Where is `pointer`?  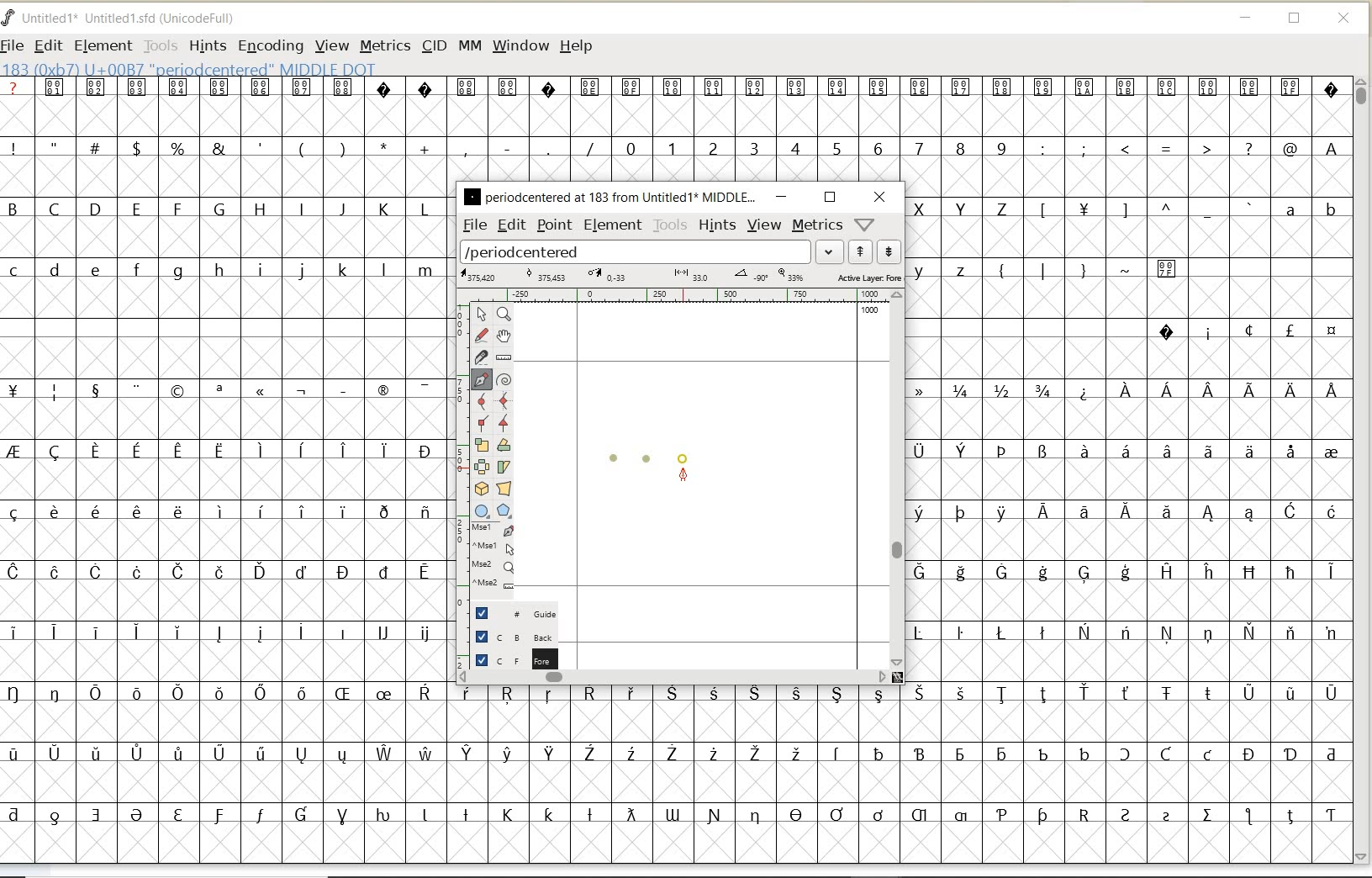
pointer is located at coordinates (481, 315).